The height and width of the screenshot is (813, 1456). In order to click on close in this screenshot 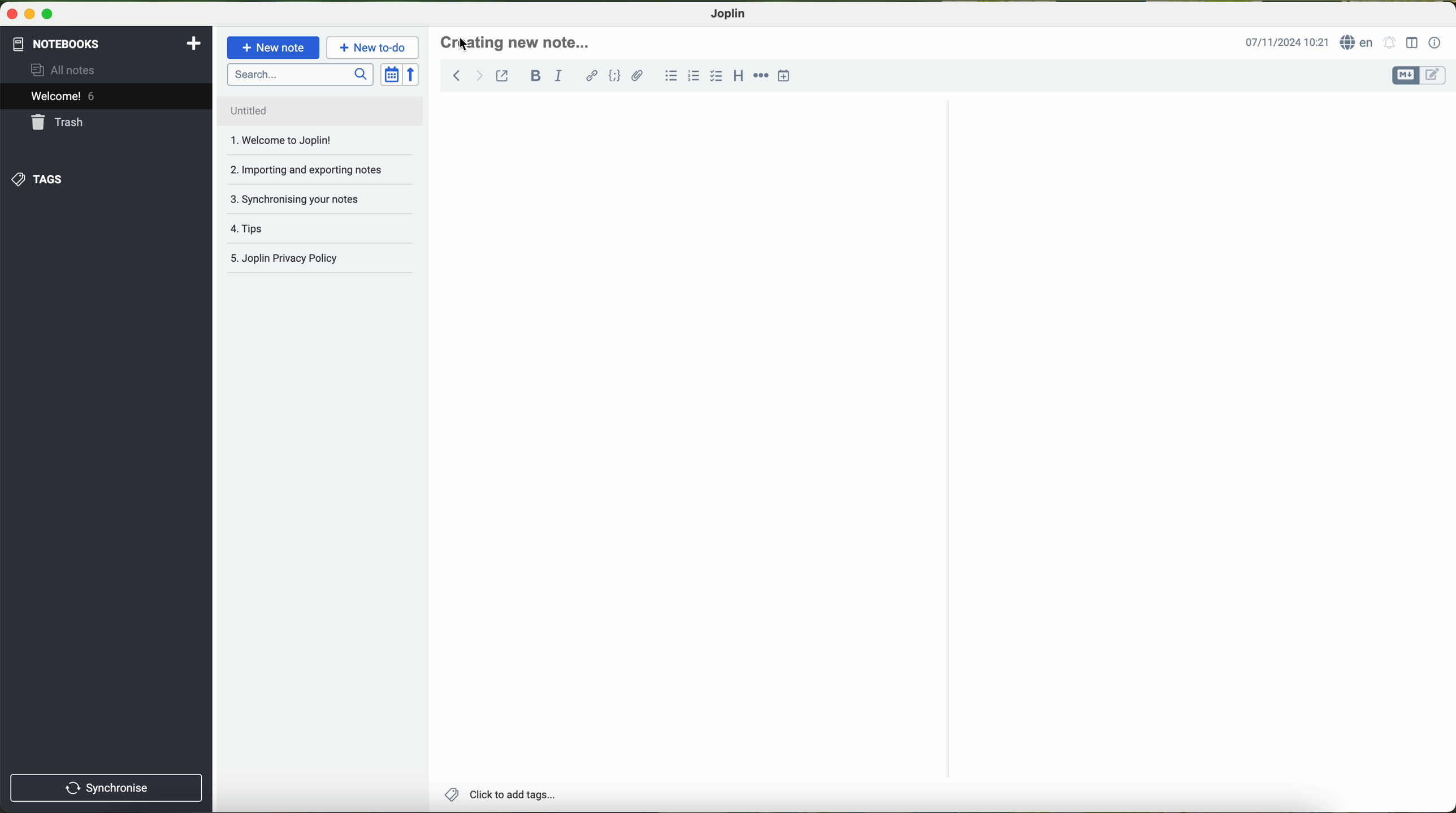, I will do `click(9, 12)`.